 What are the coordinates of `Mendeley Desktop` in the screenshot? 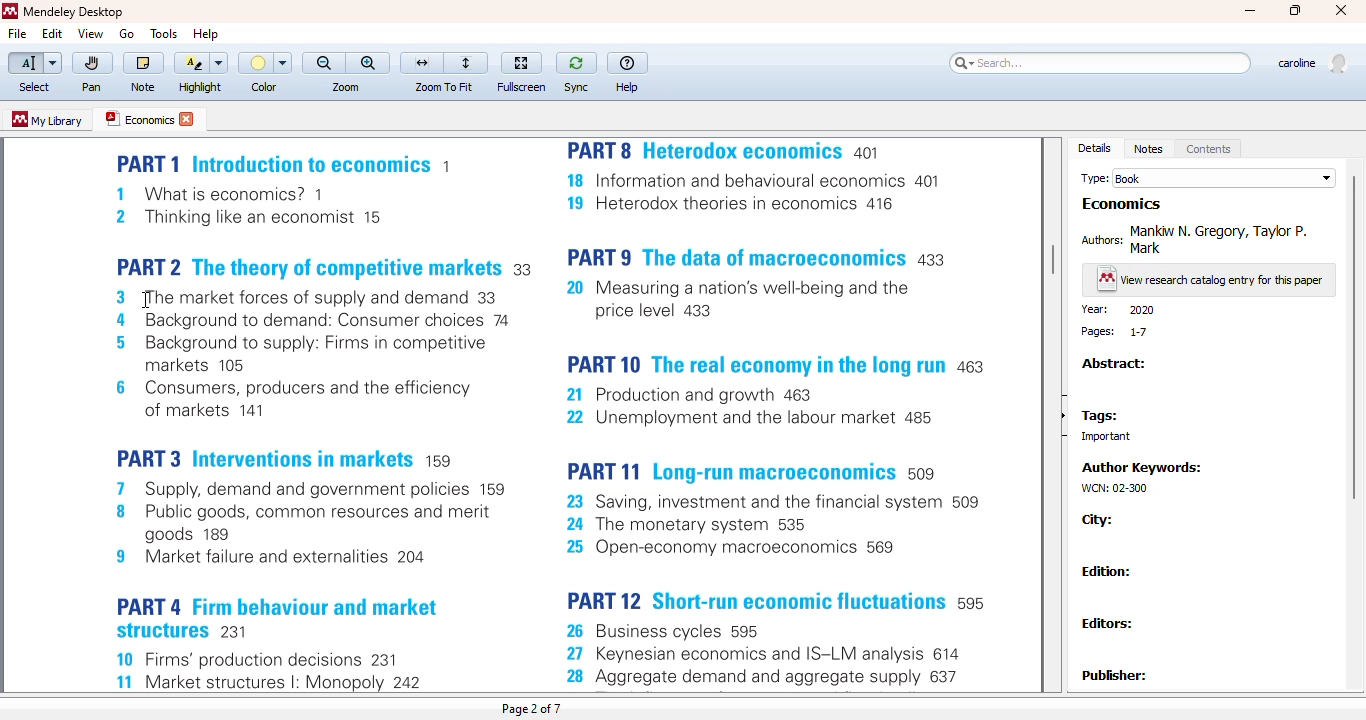 It's located at (69, 12).